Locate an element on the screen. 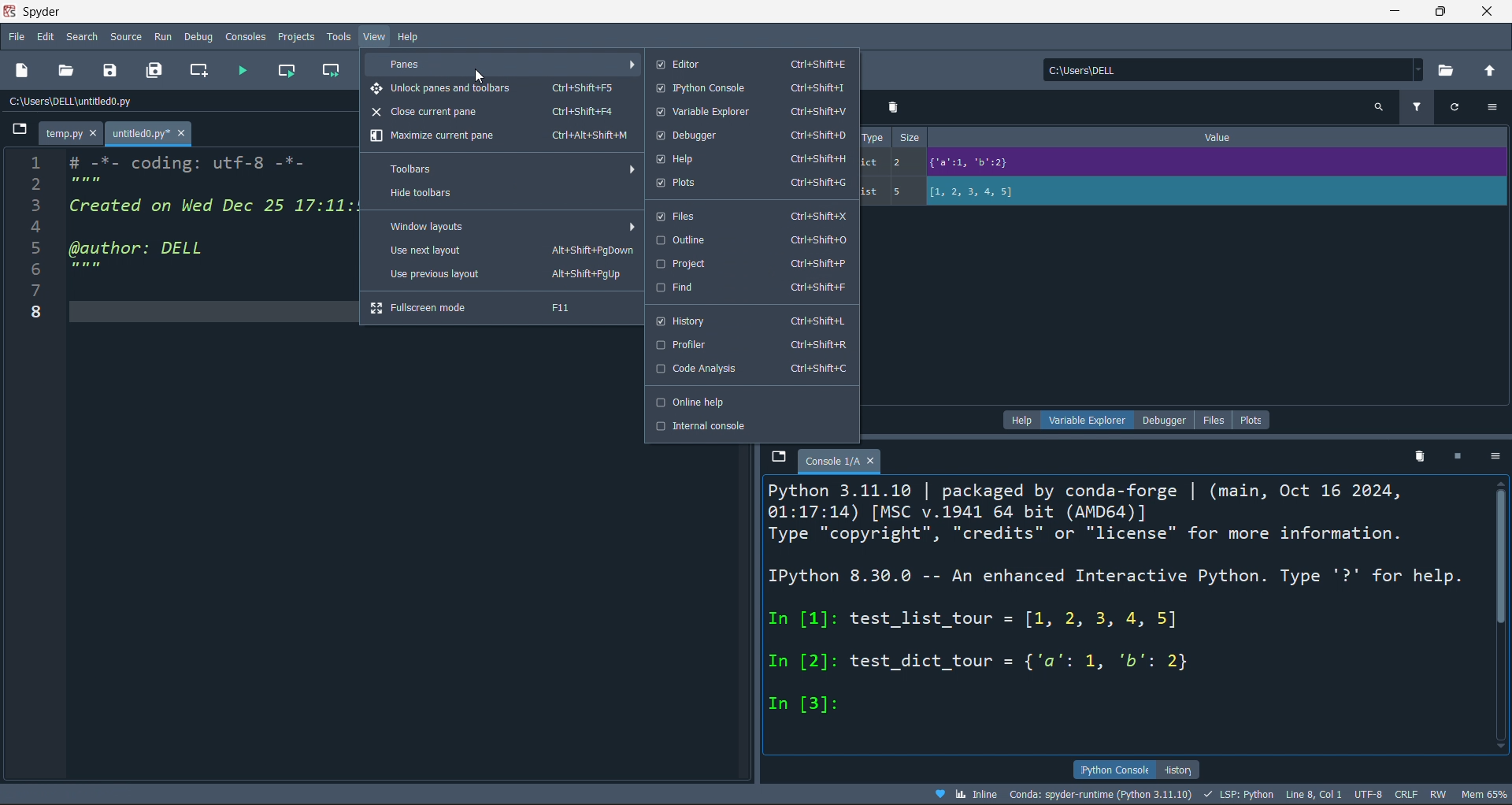 The image size is (1512, 805). view is located at coordinates (372, 35).